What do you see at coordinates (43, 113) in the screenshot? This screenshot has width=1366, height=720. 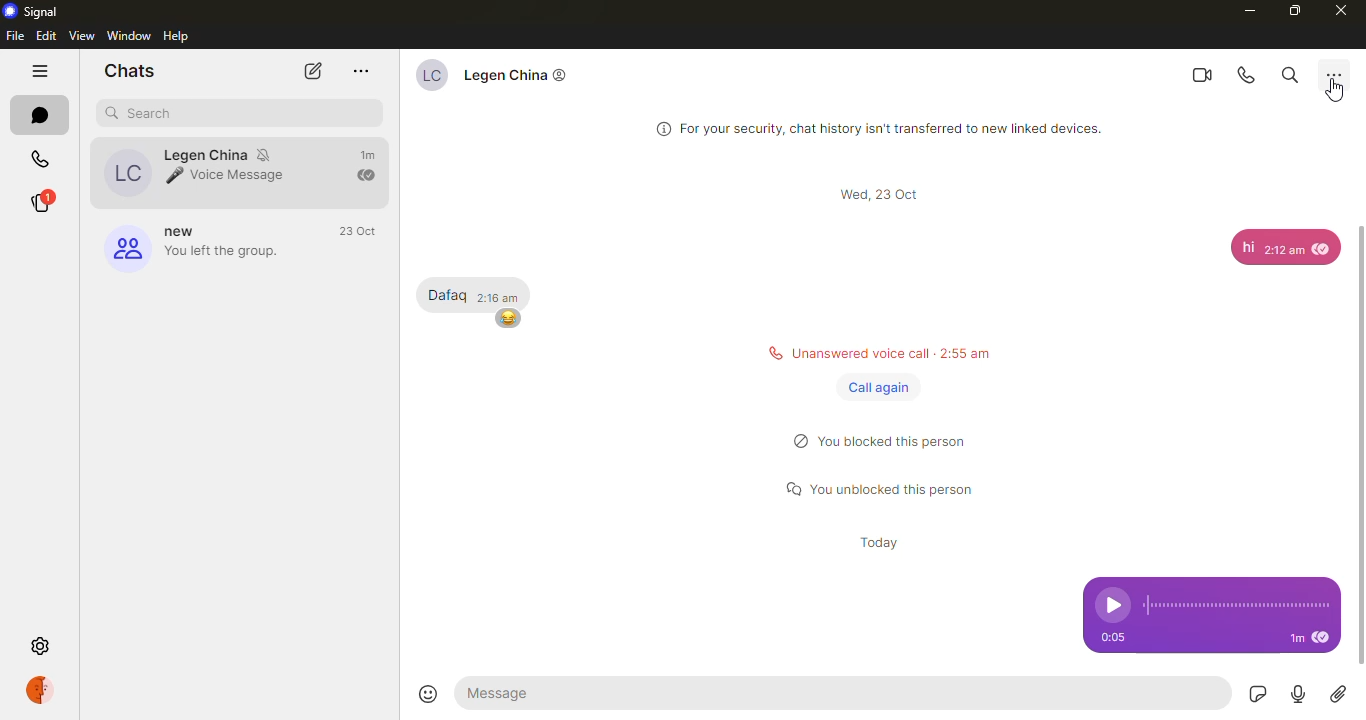 I see `chats` at bounding box center [43, 113].